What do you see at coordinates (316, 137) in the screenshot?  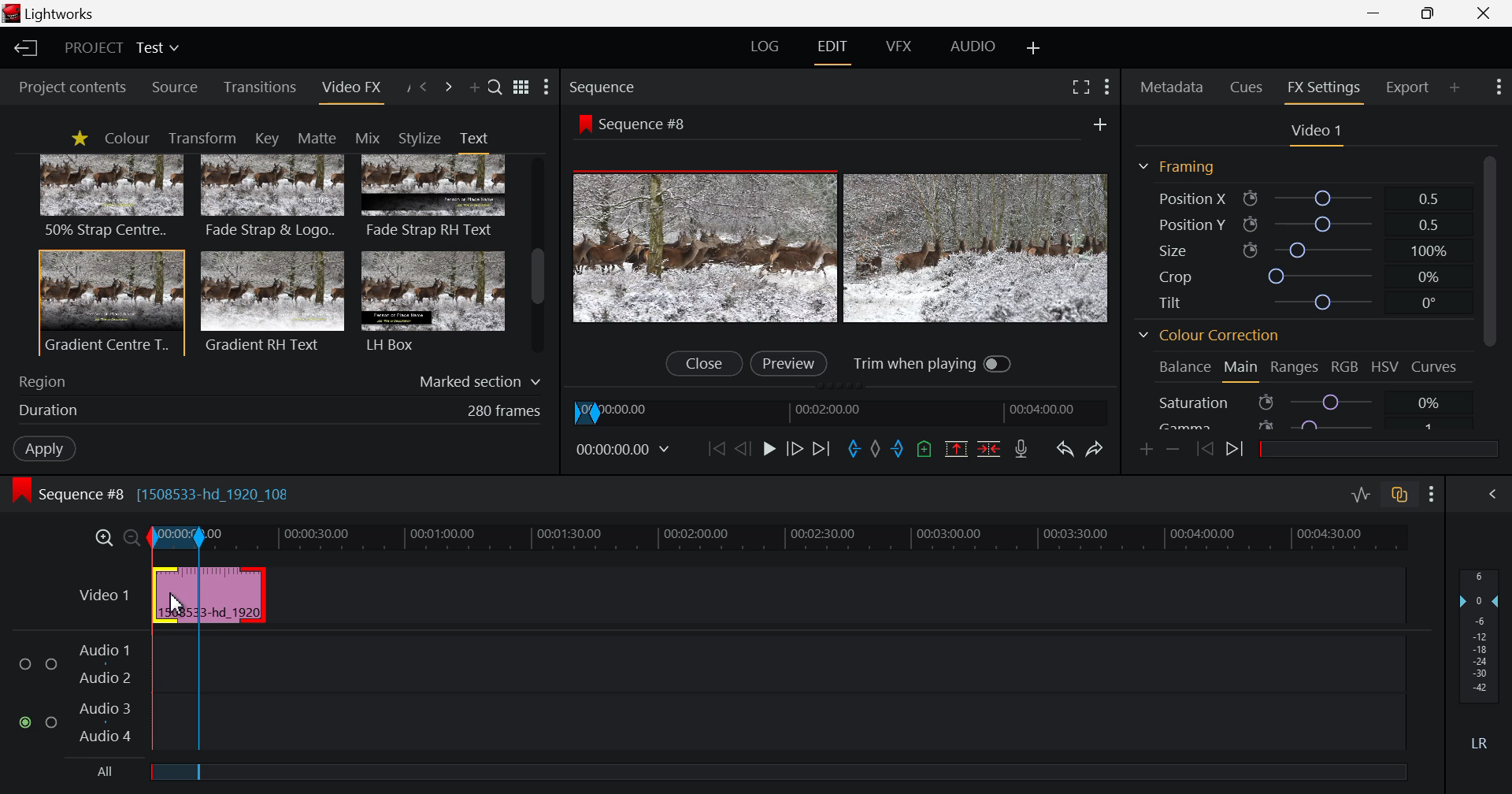 I see `Matte` at bounding box center [316, 137].